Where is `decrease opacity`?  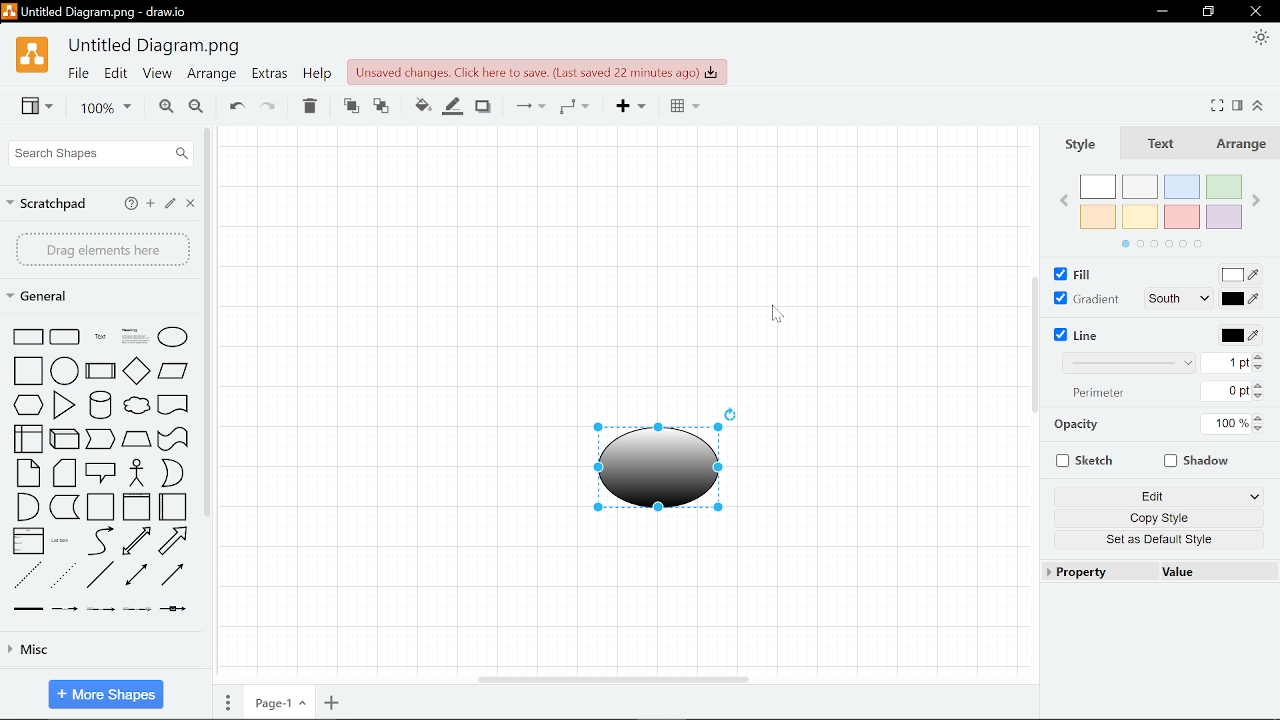 decrease opacity is located at coordinates (1262, 430).